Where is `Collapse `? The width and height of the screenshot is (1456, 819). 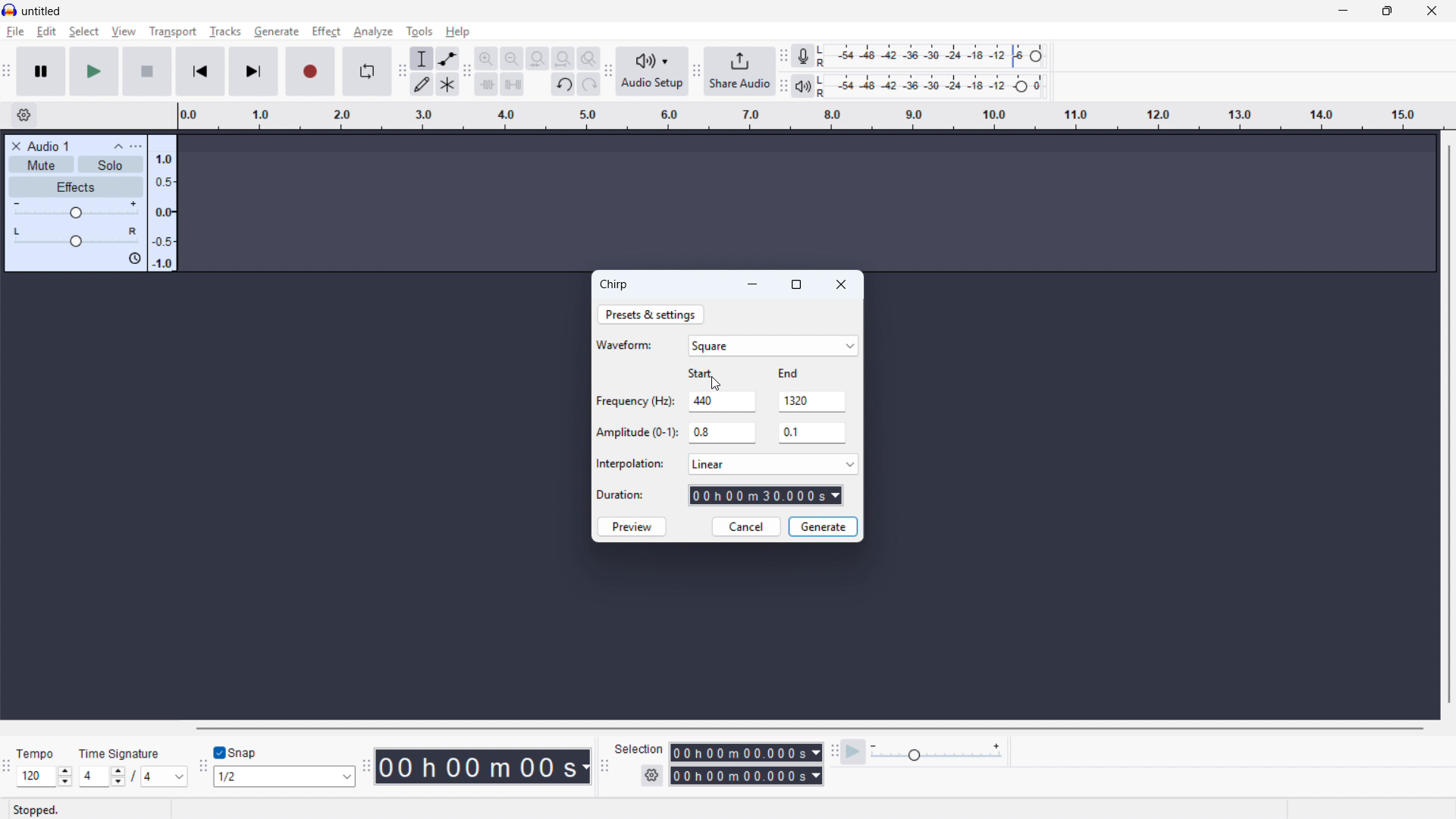
Collapse  is located at coordinates (118, 146).